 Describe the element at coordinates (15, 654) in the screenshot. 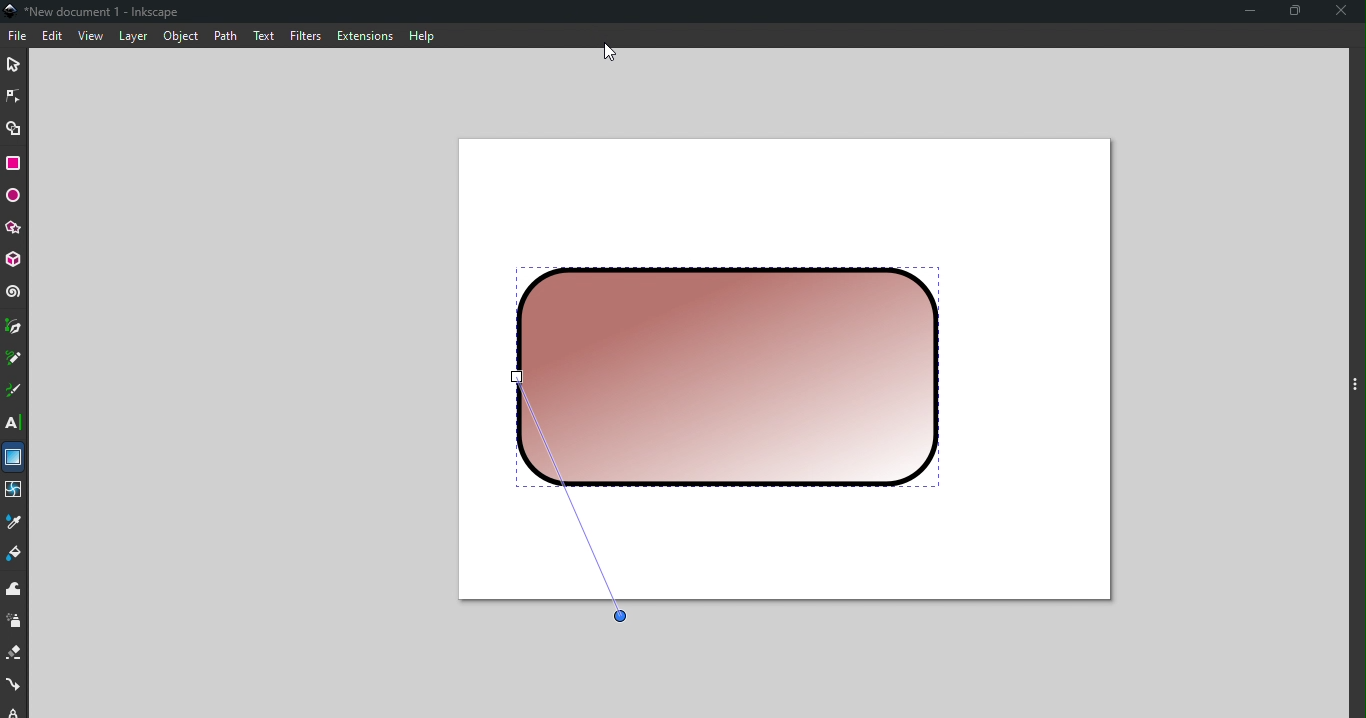

I see `Eraser tool` at that location.